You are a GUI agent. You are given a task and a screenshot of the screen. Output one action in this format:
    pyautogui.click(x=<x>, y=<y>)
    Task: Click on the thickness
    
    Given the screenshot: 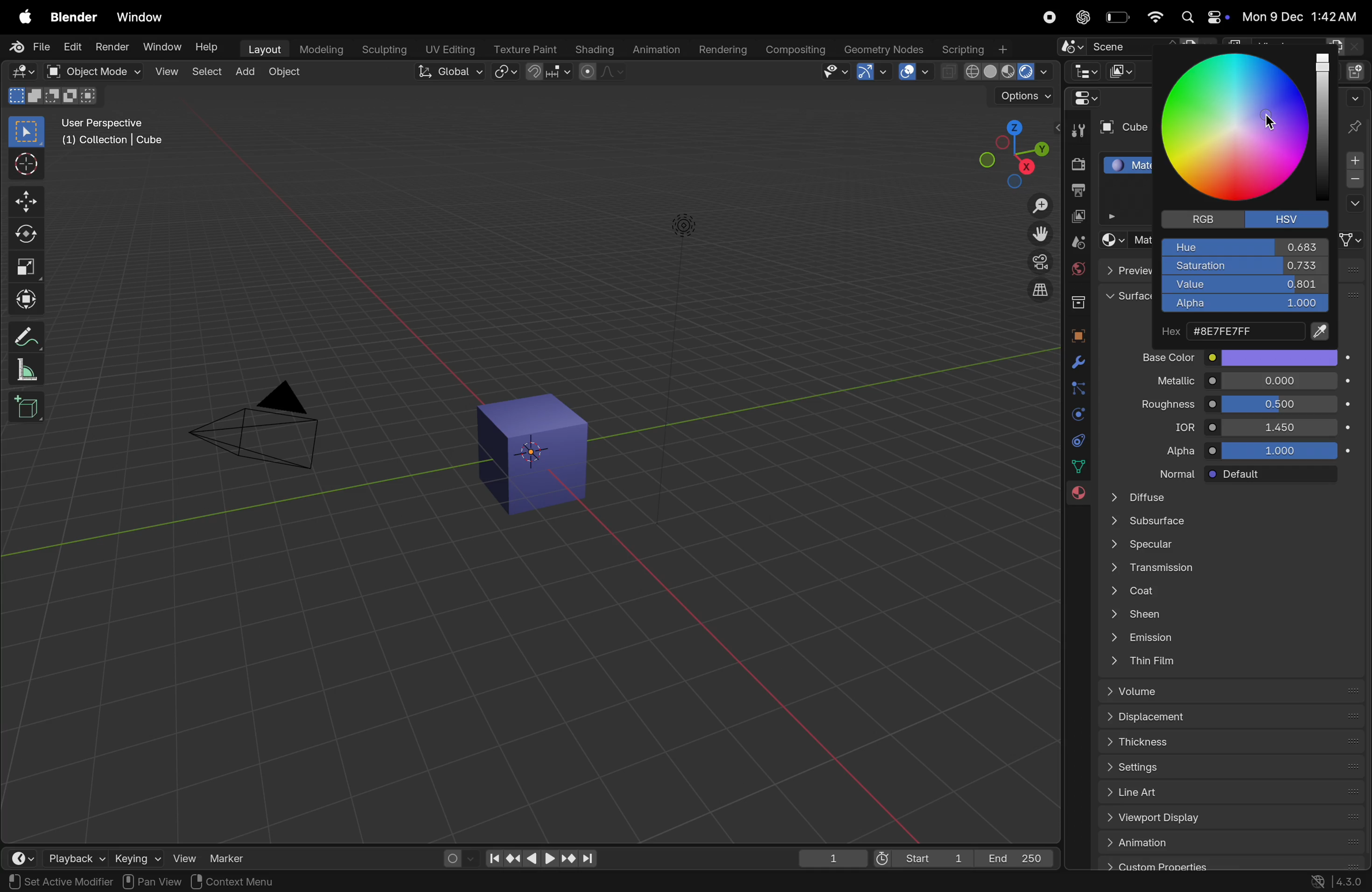 What is the action you would take?
    pyautogui.click(x=1227, y=740)
    